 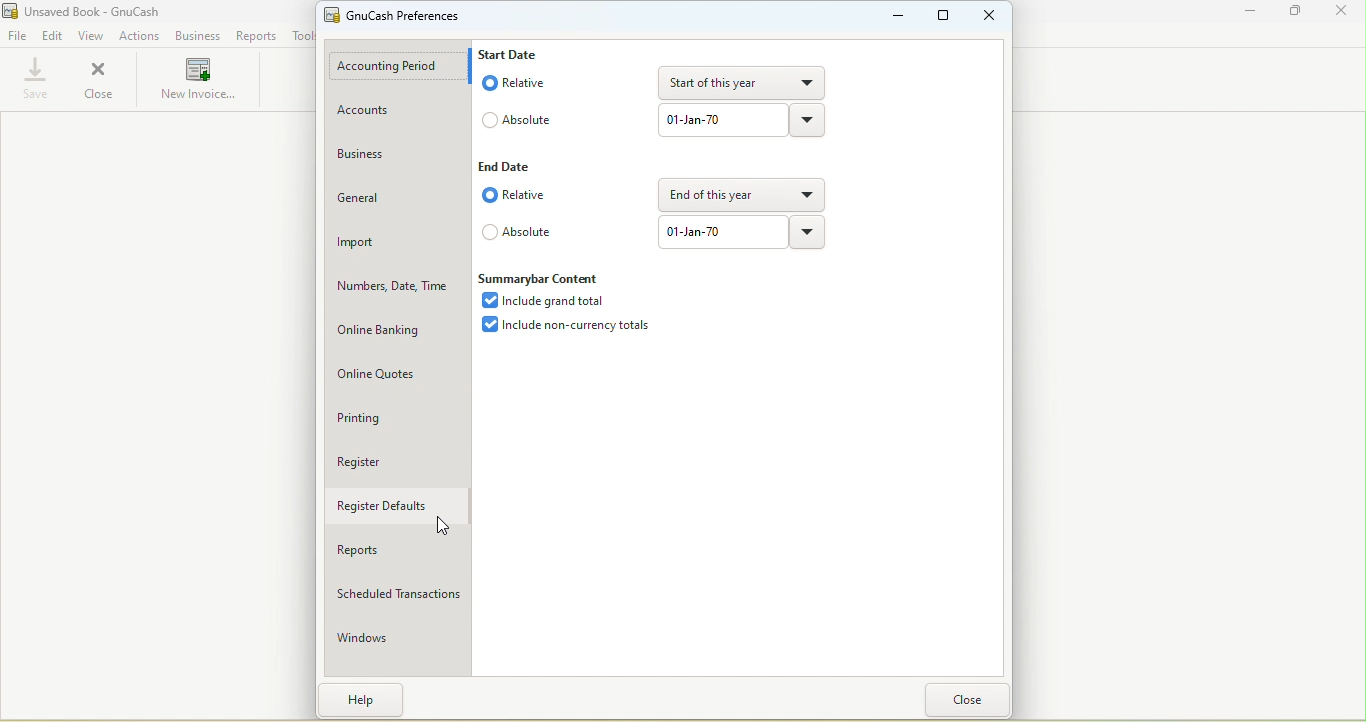 What do you see at coordinates (725, 121) in the screenshot?
I see `01-jan-70` at bounding box center [725, 121].